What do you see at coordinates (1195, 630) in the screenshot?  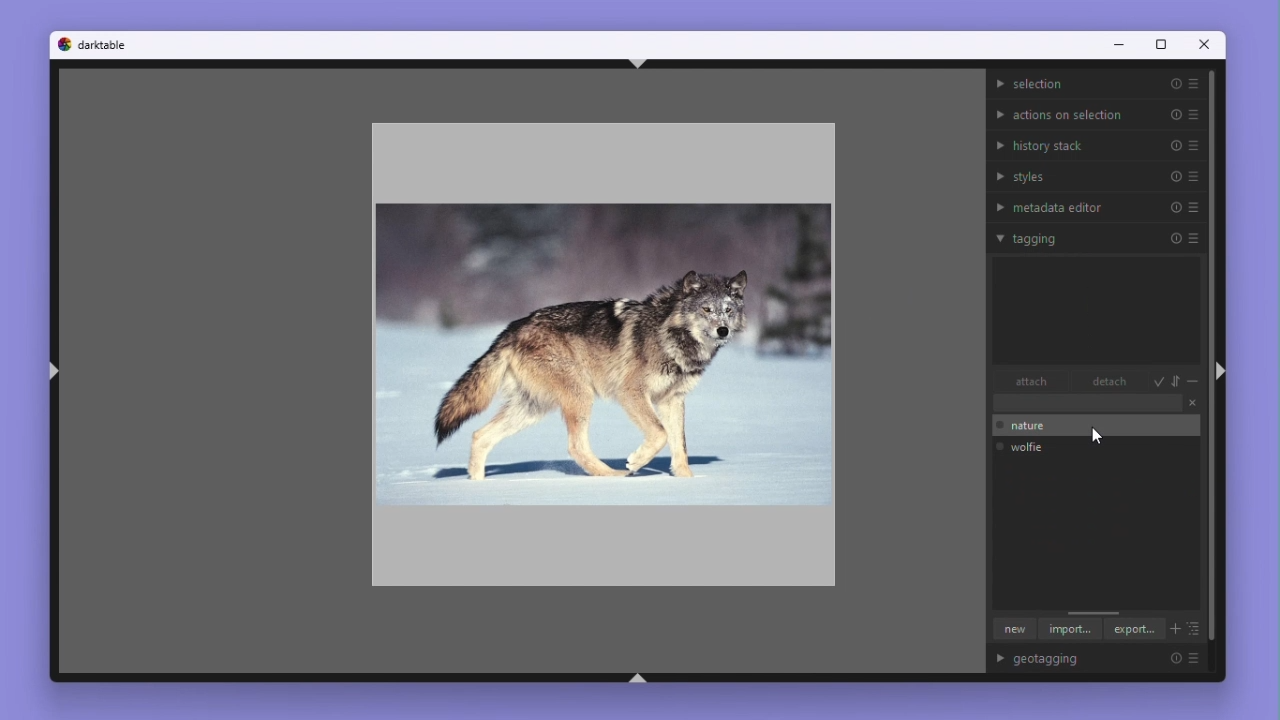 I see `list` at bounding box center [1195, 630].